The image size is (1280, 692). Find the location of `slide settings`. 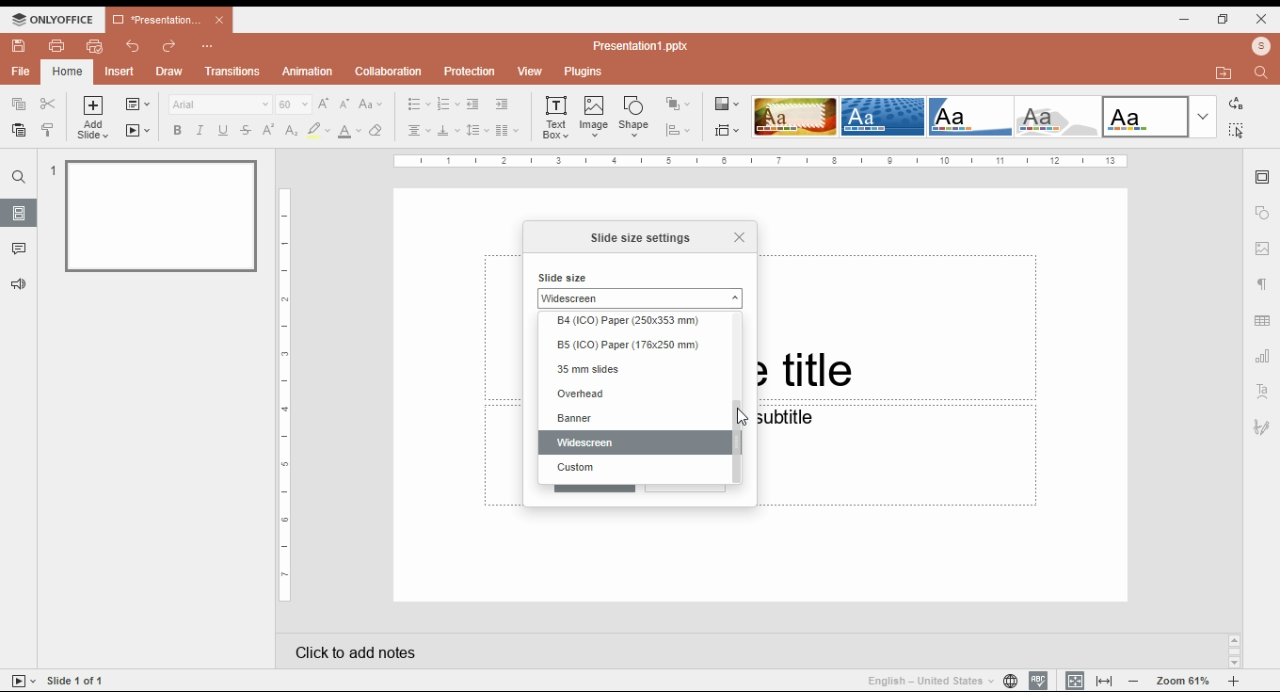

slide settings is located at coordinates (1264, 178).